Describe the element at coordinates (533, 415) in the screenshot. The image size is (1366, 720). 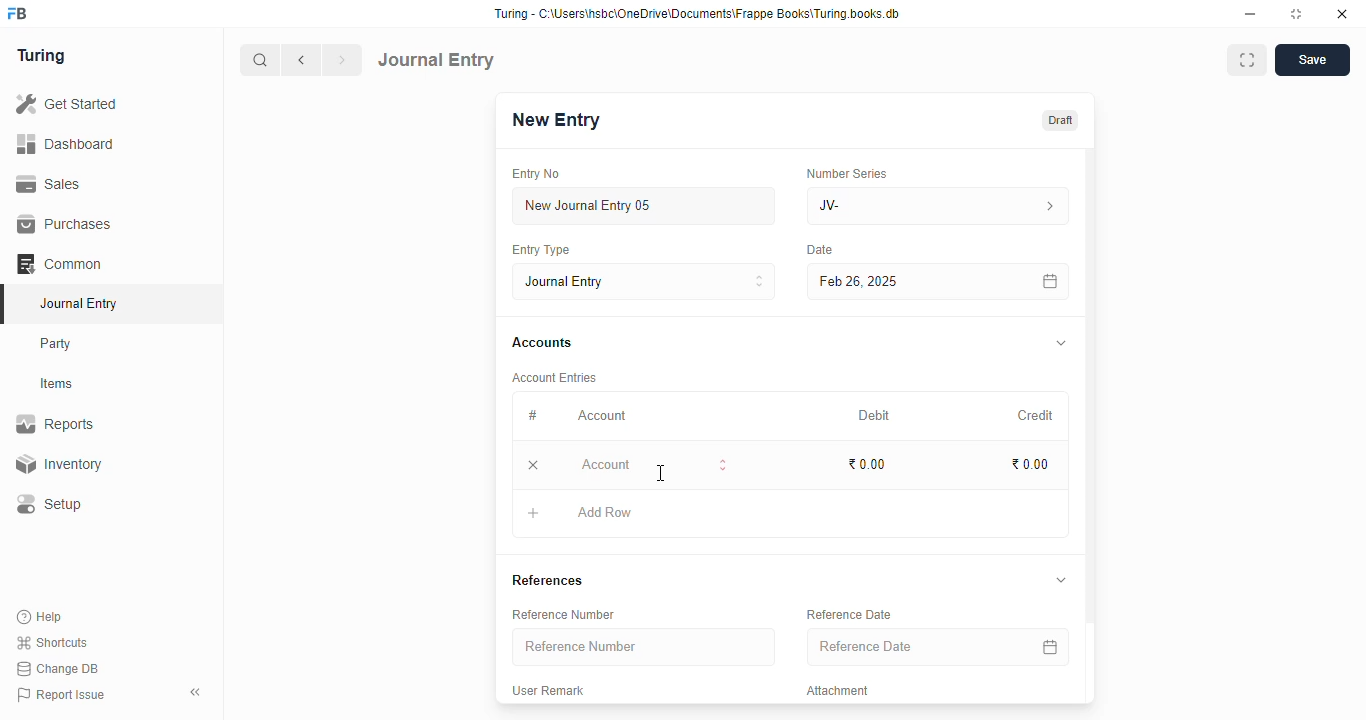
I see `#` at that location.